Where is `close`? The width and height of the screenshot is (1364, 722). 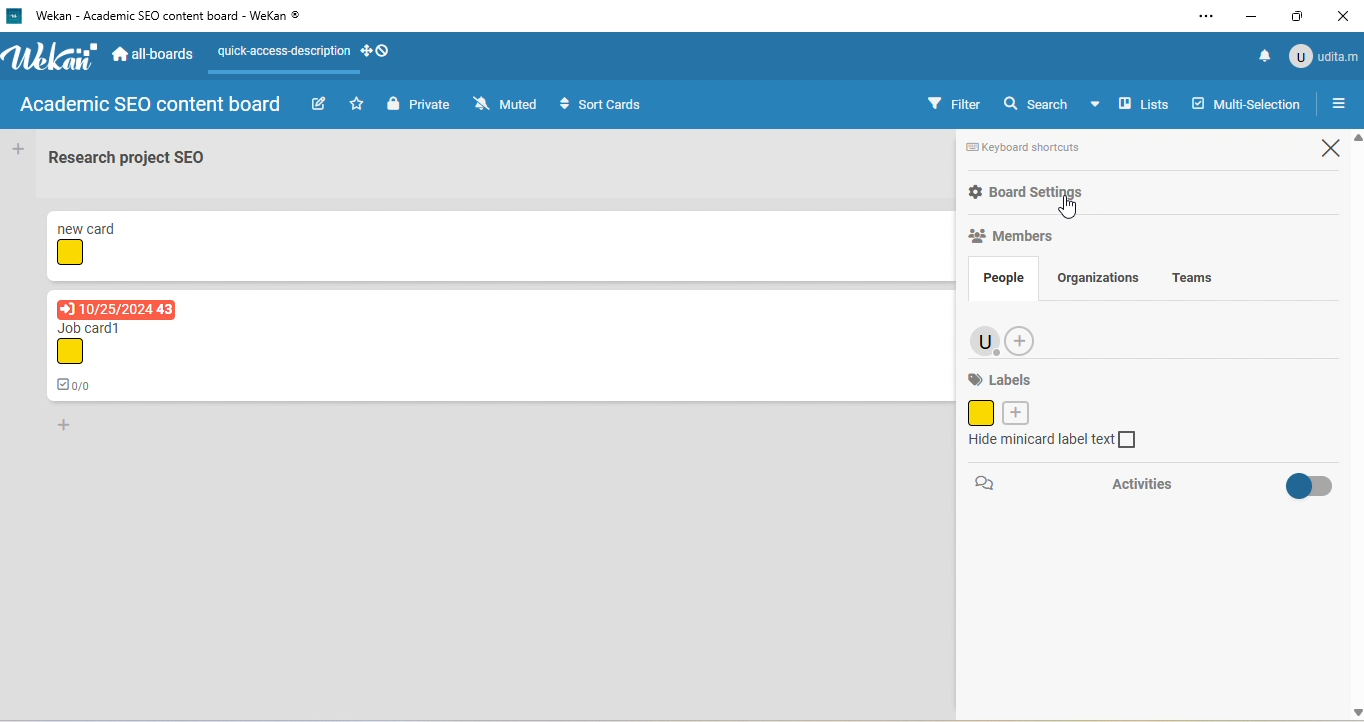
close is located at coordinates (1325, 149).